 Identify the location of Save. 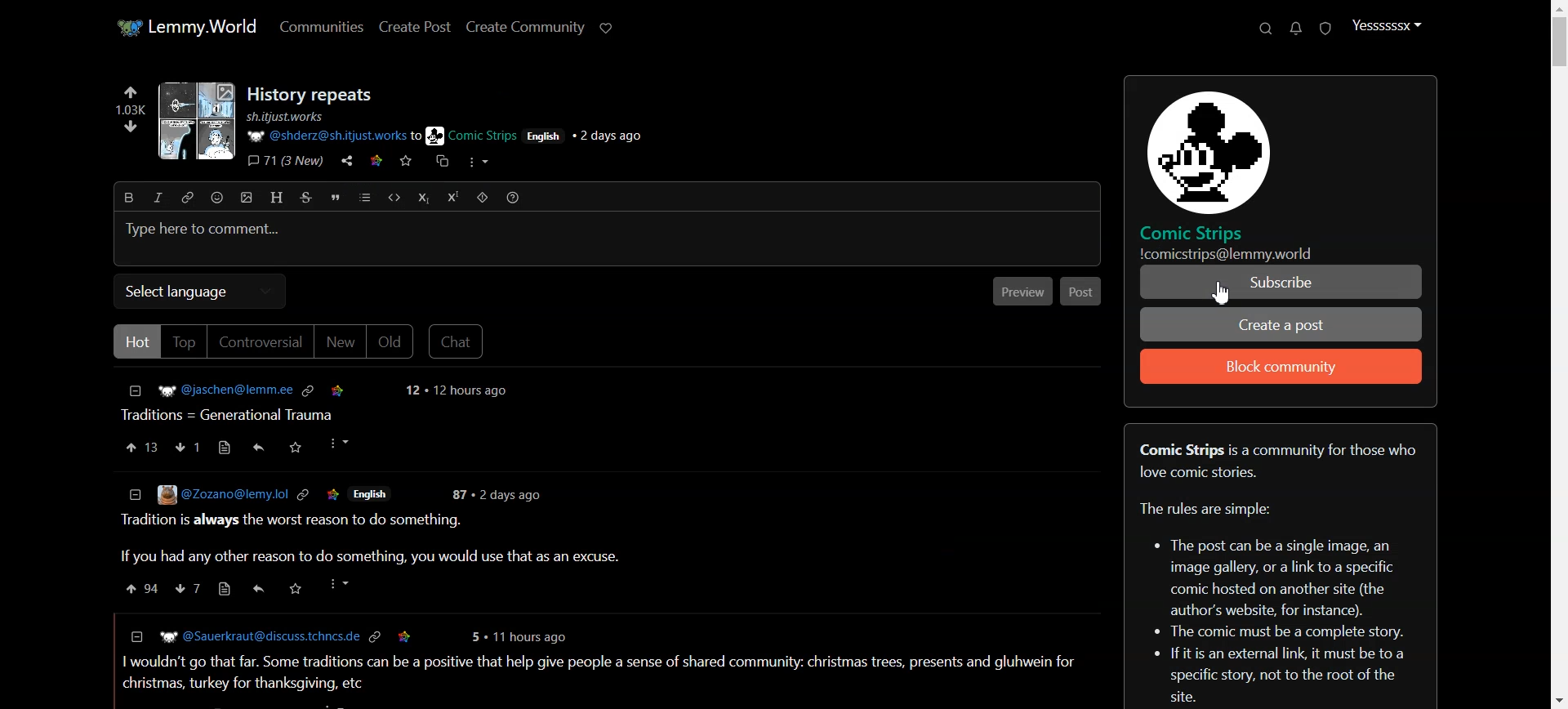
(337, 388).